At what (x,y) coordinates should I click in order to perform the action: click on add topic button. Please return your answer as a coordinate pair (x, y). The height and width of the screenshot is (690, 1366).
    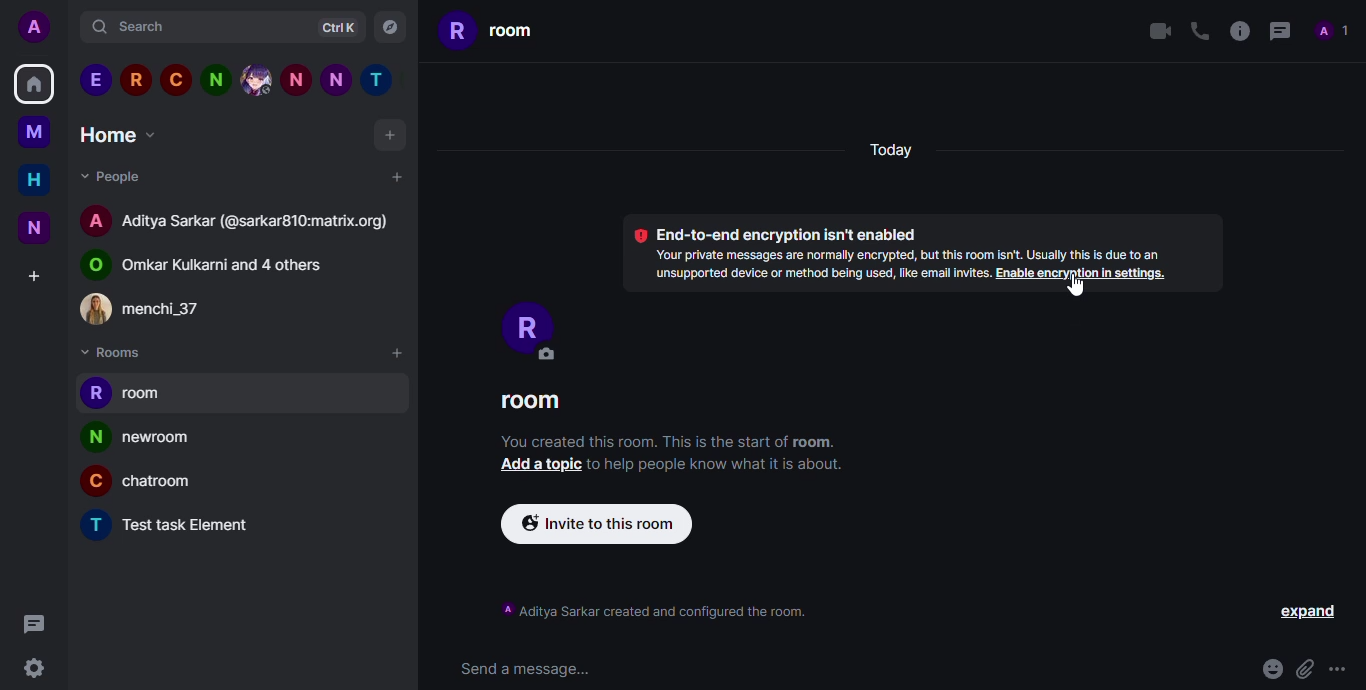
    Looking at the image, I should click on (537, 465).